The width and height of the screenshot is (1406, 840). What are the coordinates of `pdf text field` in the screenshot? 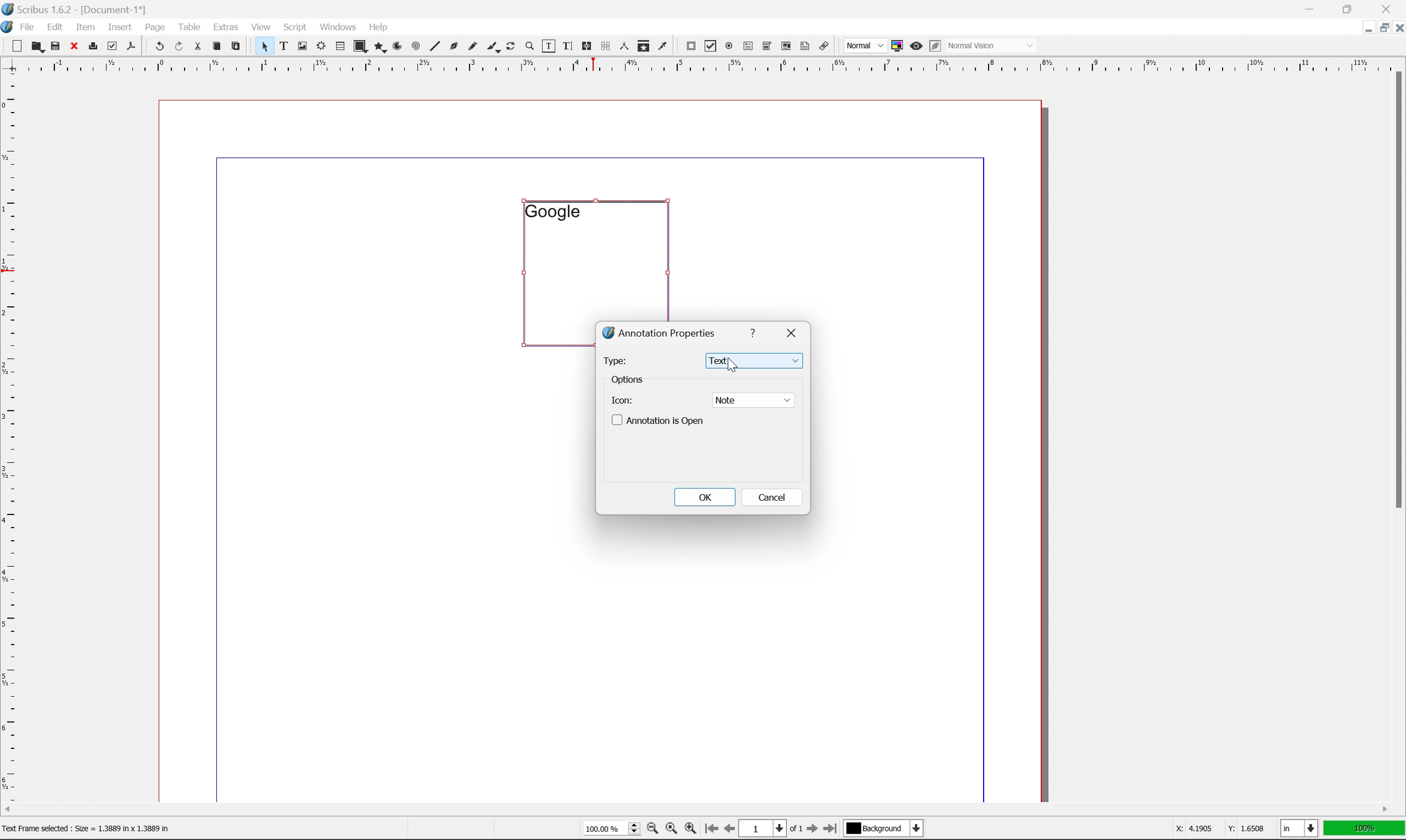 It's located at (746, 47).